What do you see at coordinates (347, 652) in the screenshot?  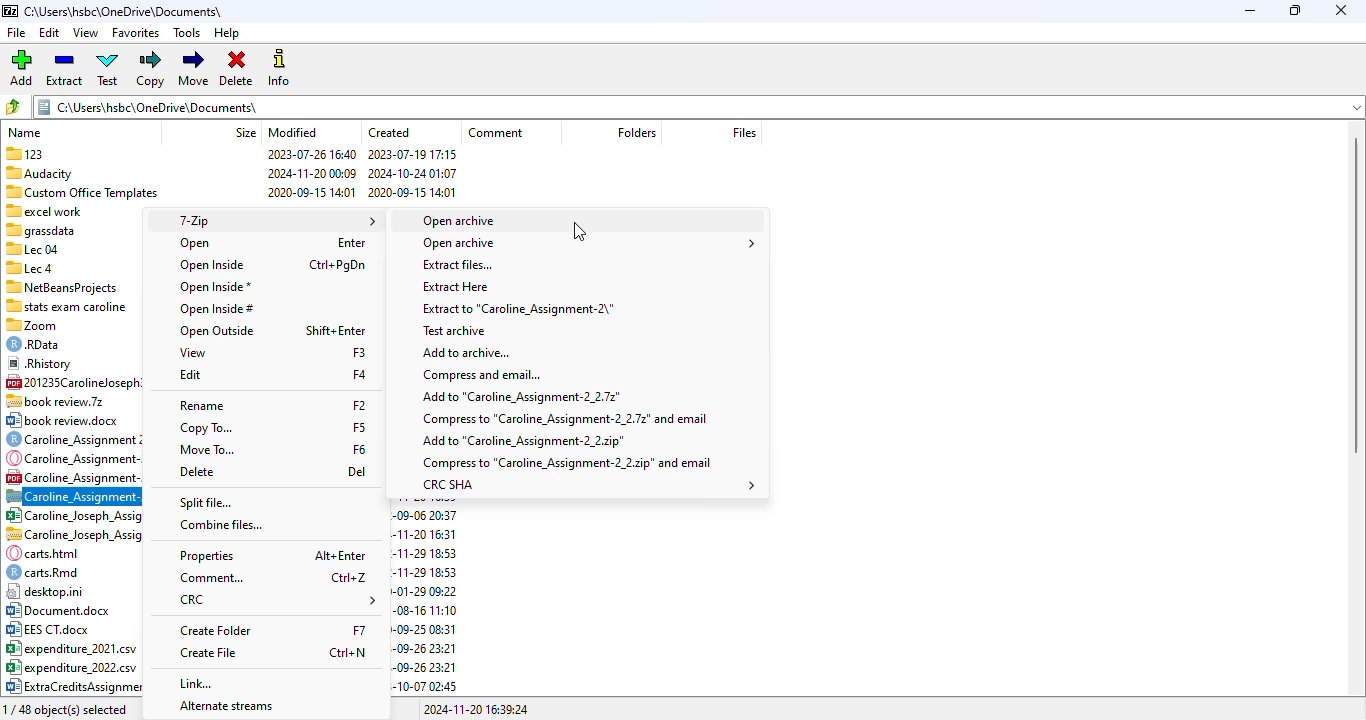 I see `shortcut for create file` at bounding box center [347, 652].